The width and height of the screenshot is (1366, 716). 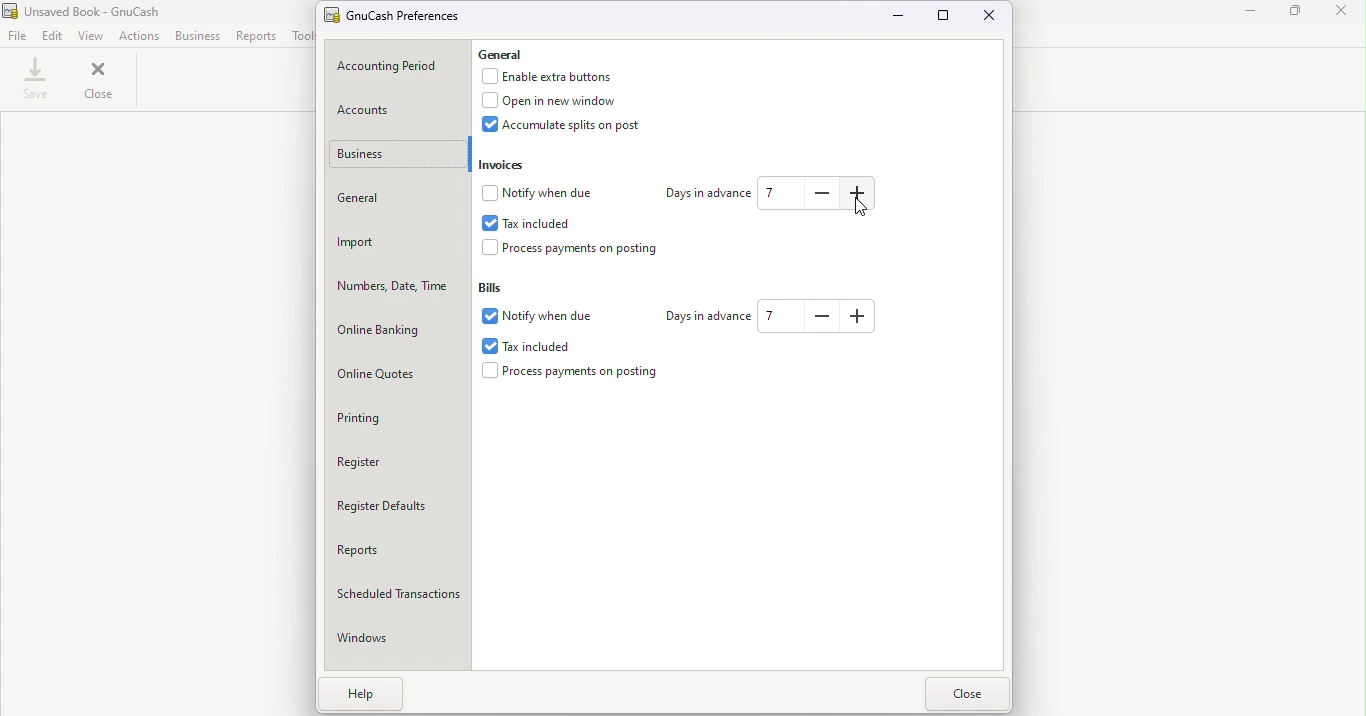 What do you see at coordinates (858, 193) in the screenshot?
I see `how many days in the future to warn about invoices coming due` at bounding box center [858, 193].